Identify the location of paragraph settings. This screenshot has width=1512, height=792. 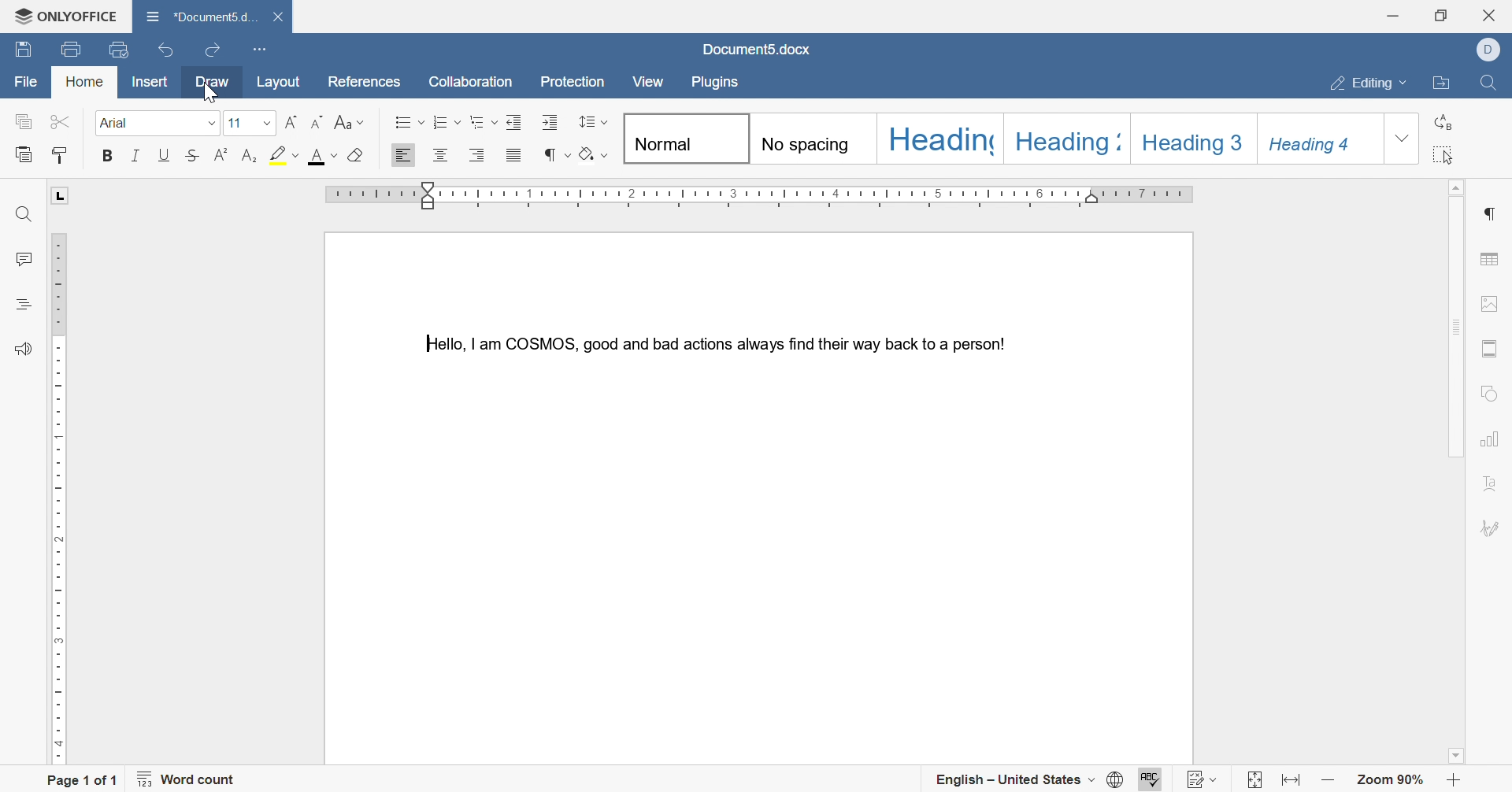
(1493, 213).